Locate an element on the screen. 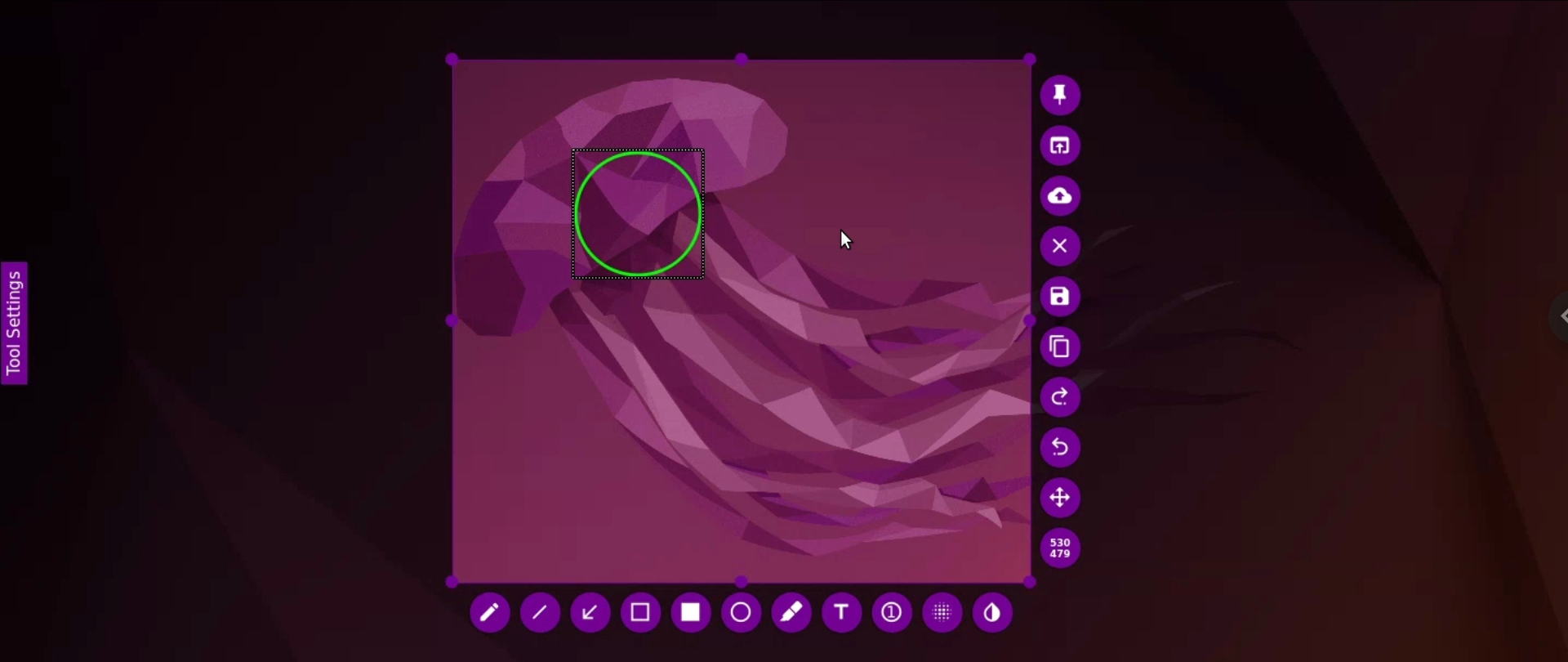 Image resolution: width=1568 pixels, height=662 pixels. auto incrementing counter bubble is located at coordinates (889, 612).